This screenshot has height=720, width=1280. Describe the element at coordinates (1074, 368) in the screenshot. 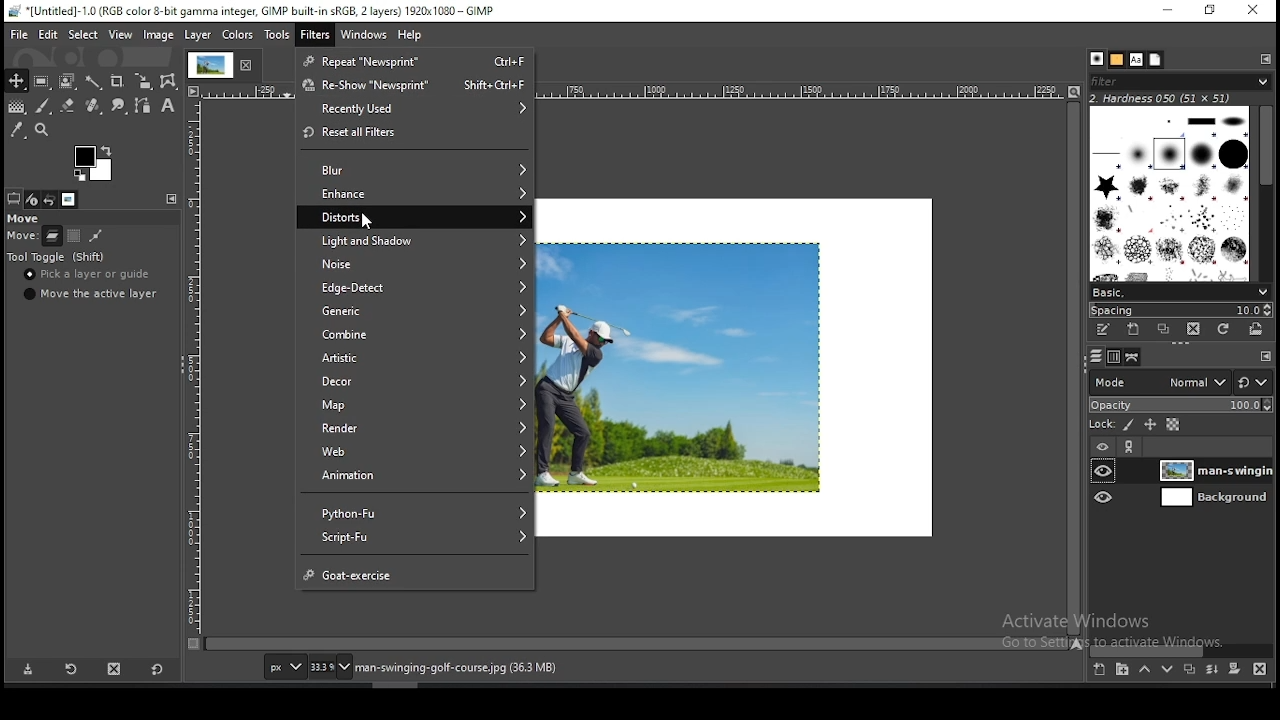

I see `scroll bar` at that location.